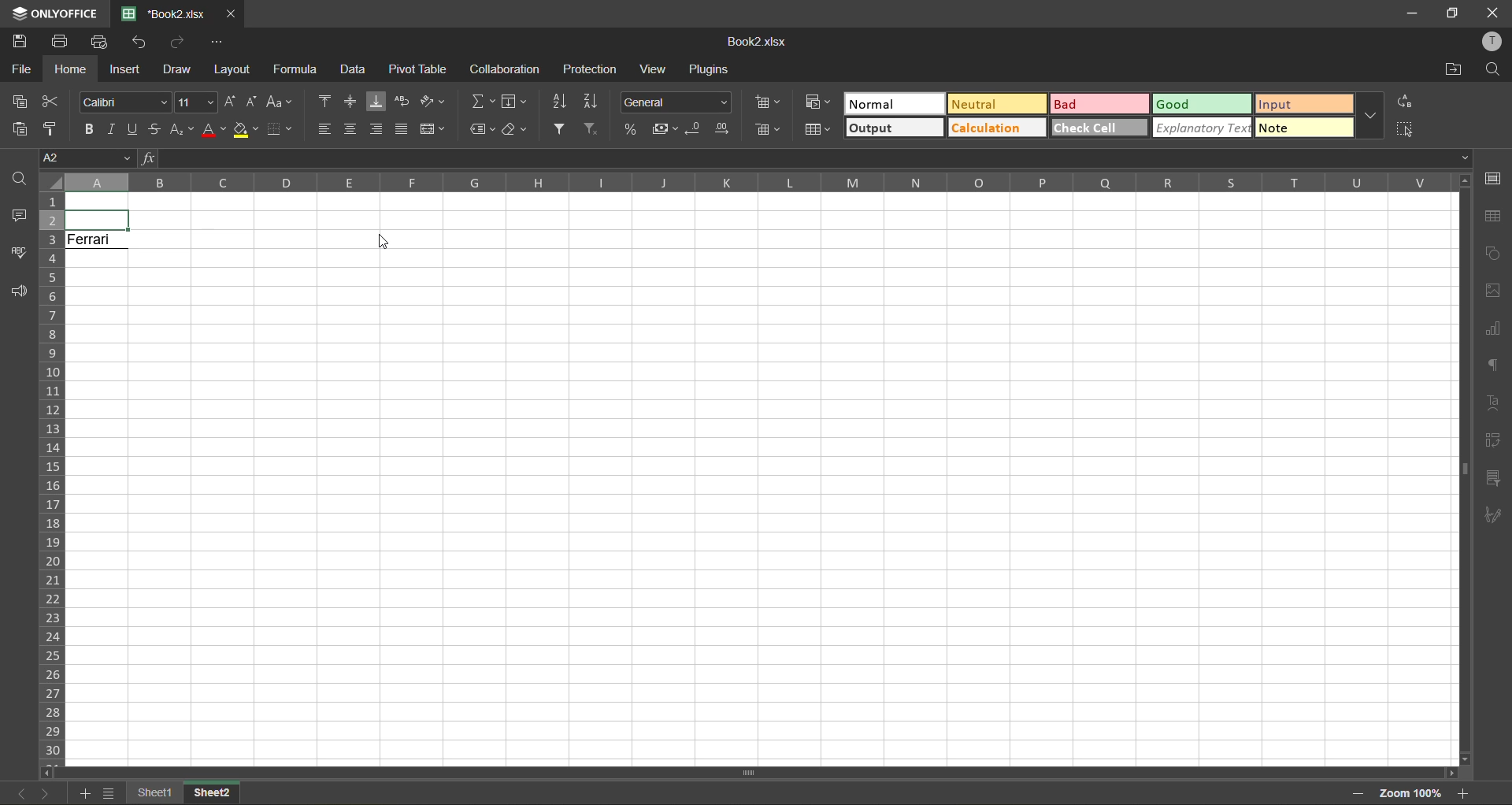 The image size is (1512, 805). I want to click on Book2.xlsx, so click(761, 42).